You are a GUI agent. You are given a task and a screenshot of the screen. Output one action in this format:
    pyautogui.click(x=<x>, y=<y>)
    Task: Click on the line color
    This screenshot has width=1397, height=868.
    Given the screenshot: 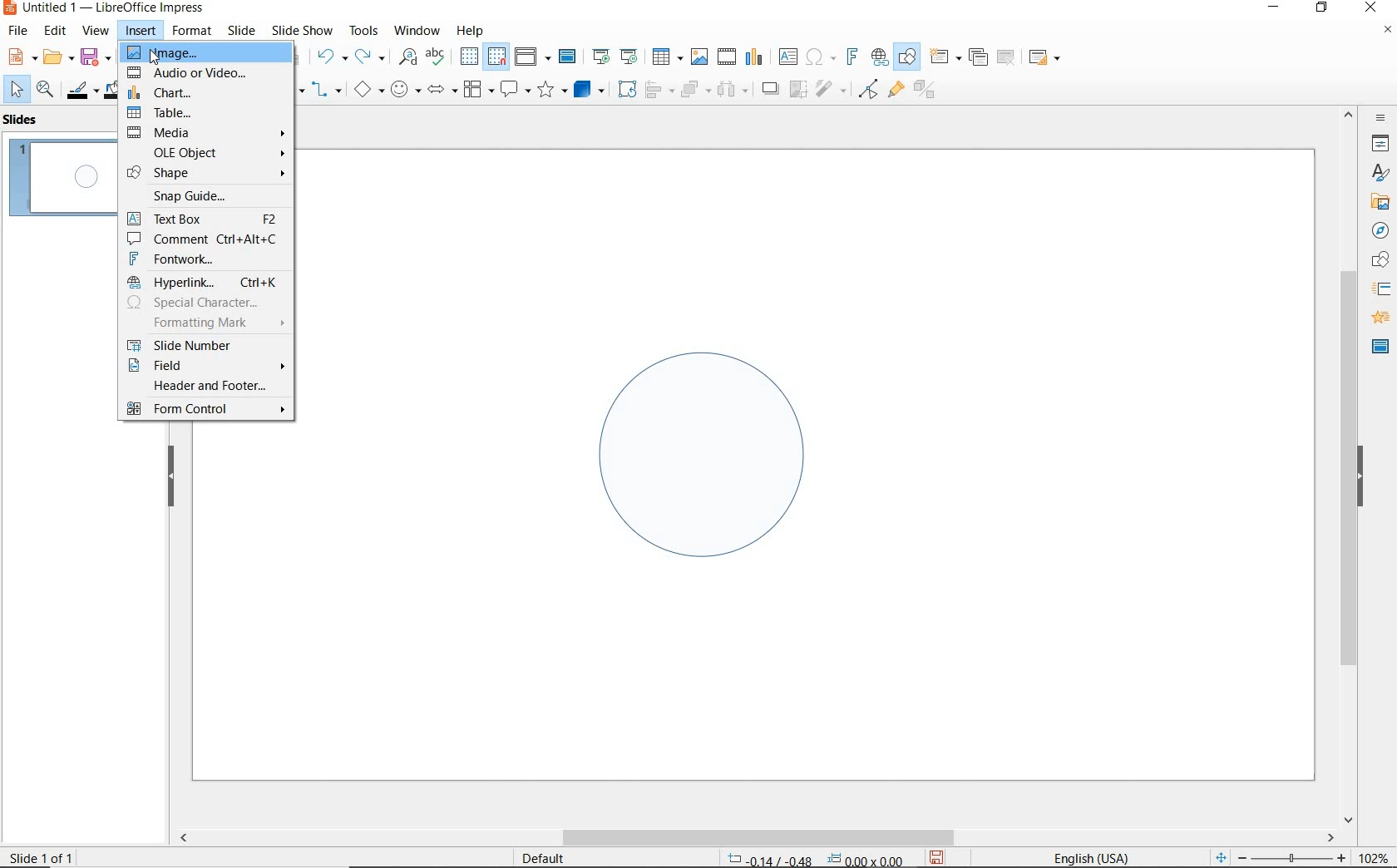 What is the action you would take?
    pyautogui.click(x=81, y=90)
    